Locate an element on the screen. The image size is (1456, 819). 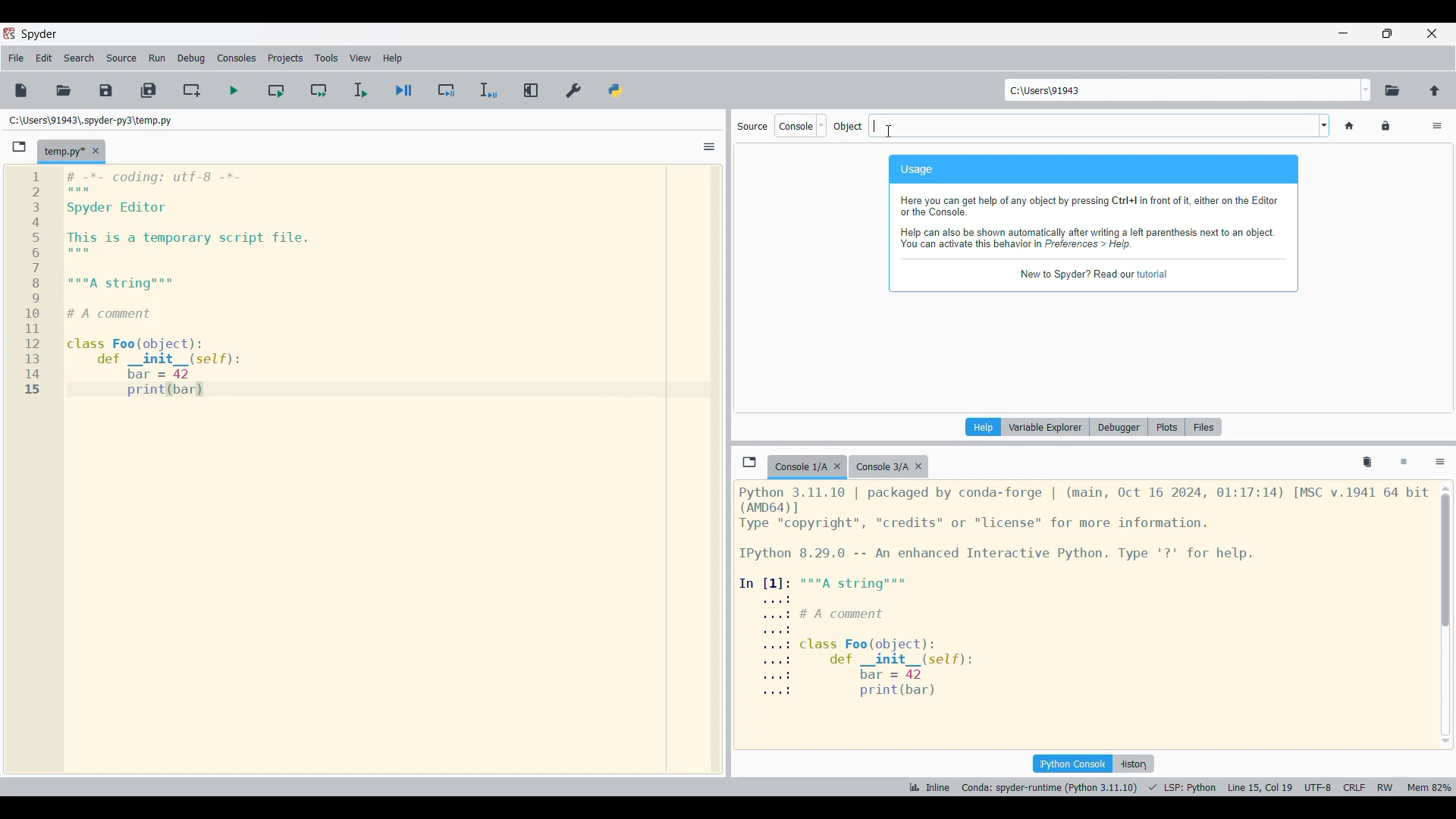
IPython console is located at coordinates (1071, 764).